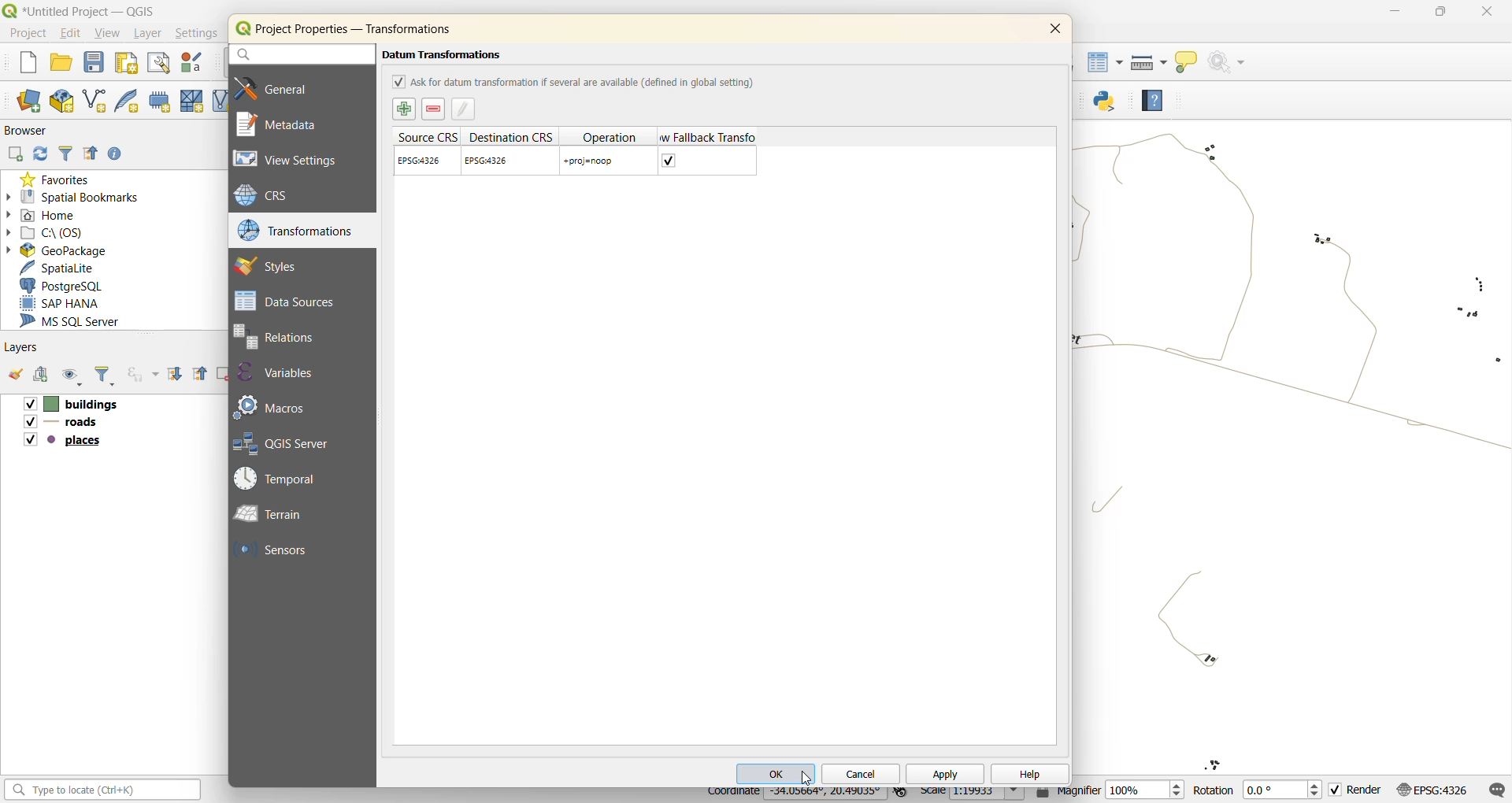  I want to click on geopackage, so click(58, 250).